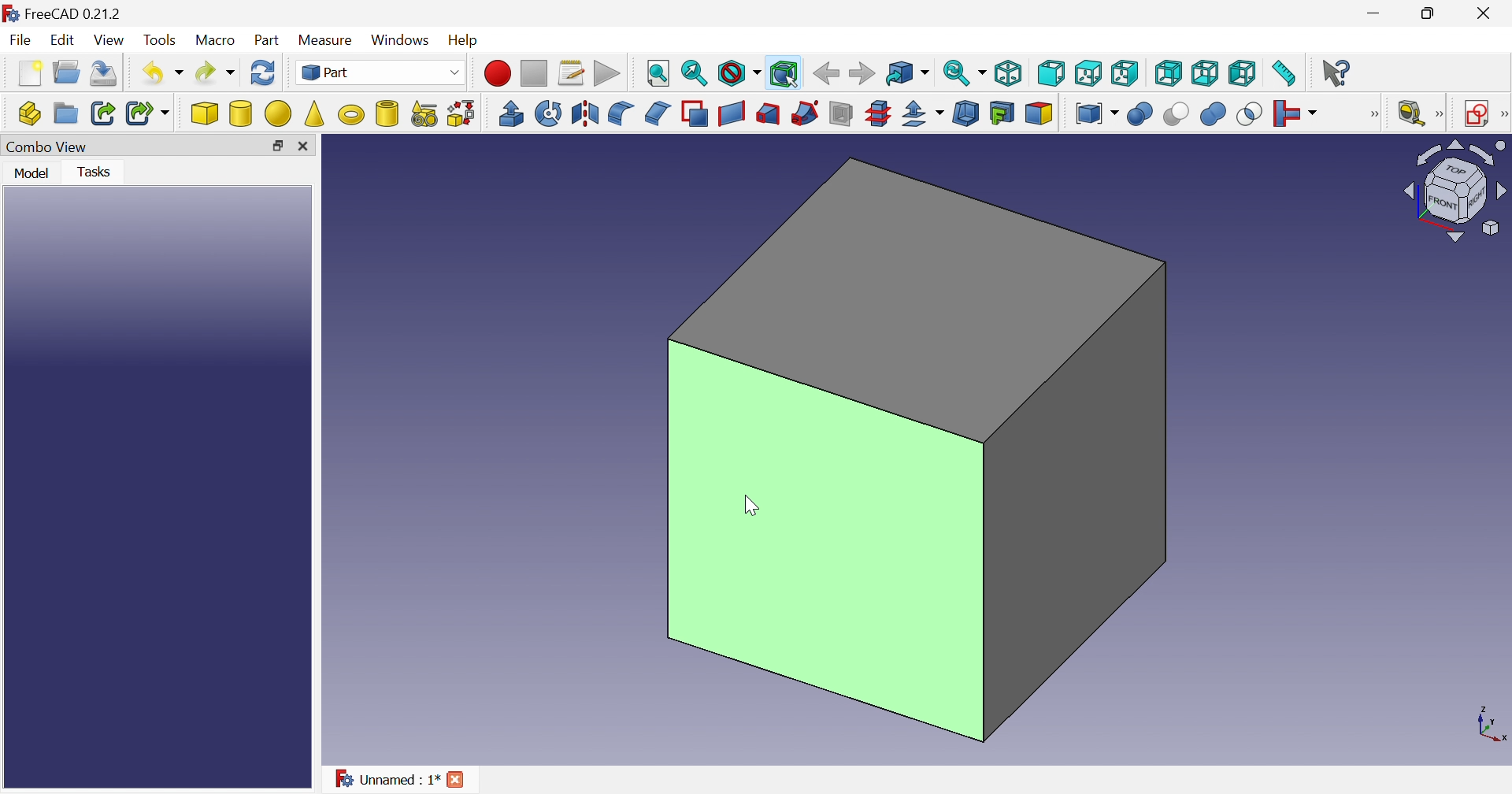  I want to click on Make link, so click(105, 113).